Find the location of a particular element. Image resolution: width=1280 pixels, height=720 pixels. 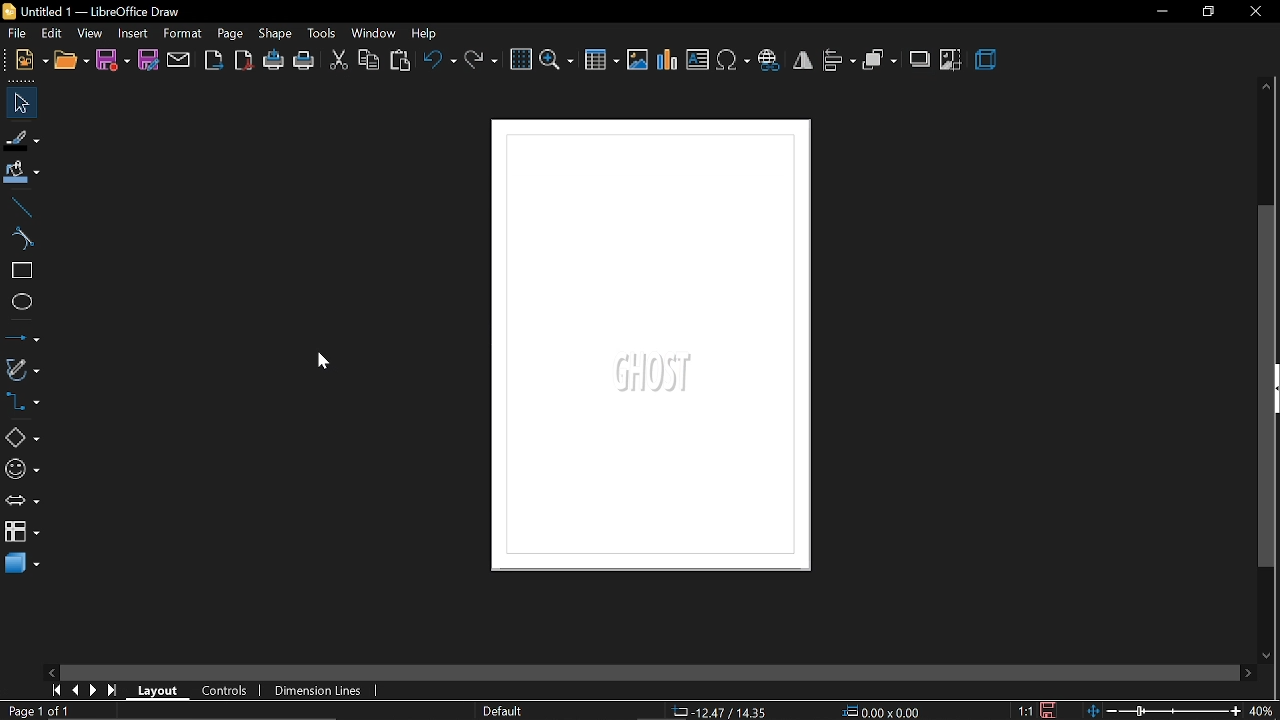

fill color is located at coordinates (21, 172).